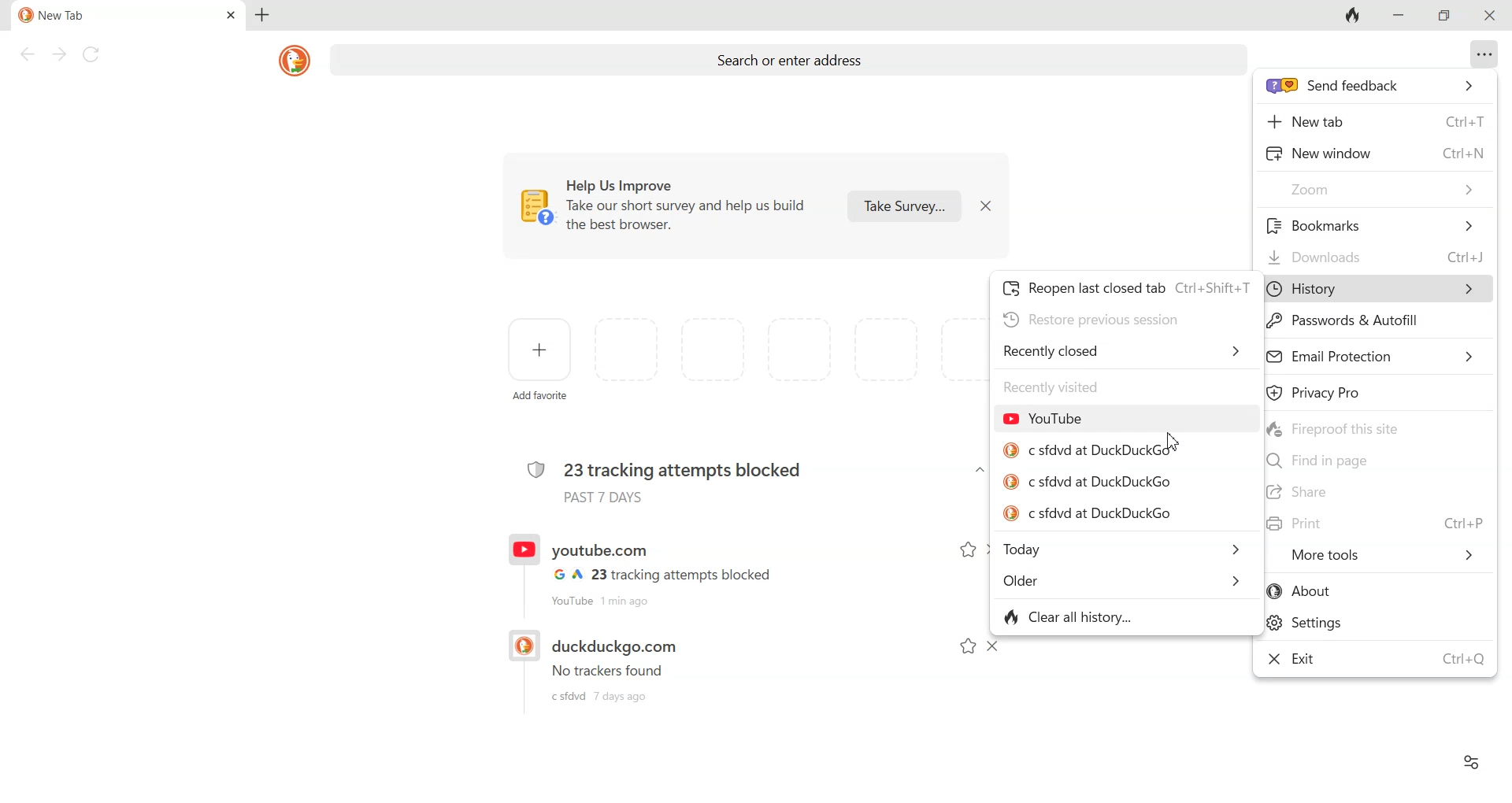 This screenshot has height=803, width=1512. Describe the element at coordinates (1374, 257) in the screenshot. I see `Downloads` at that location.